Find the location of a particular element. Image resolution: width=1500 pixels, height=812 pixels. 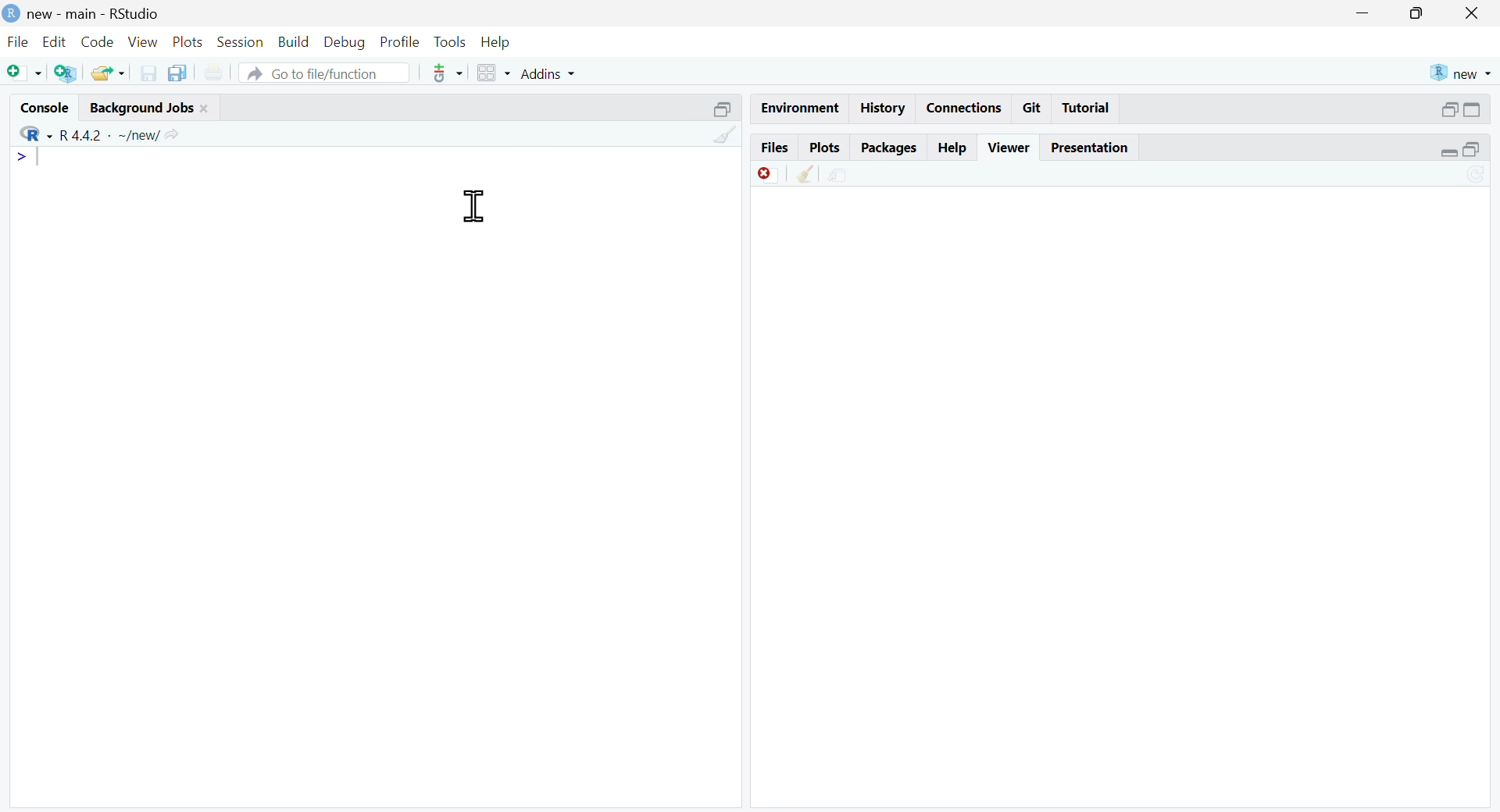

clean is located at coordinates (726, 134).